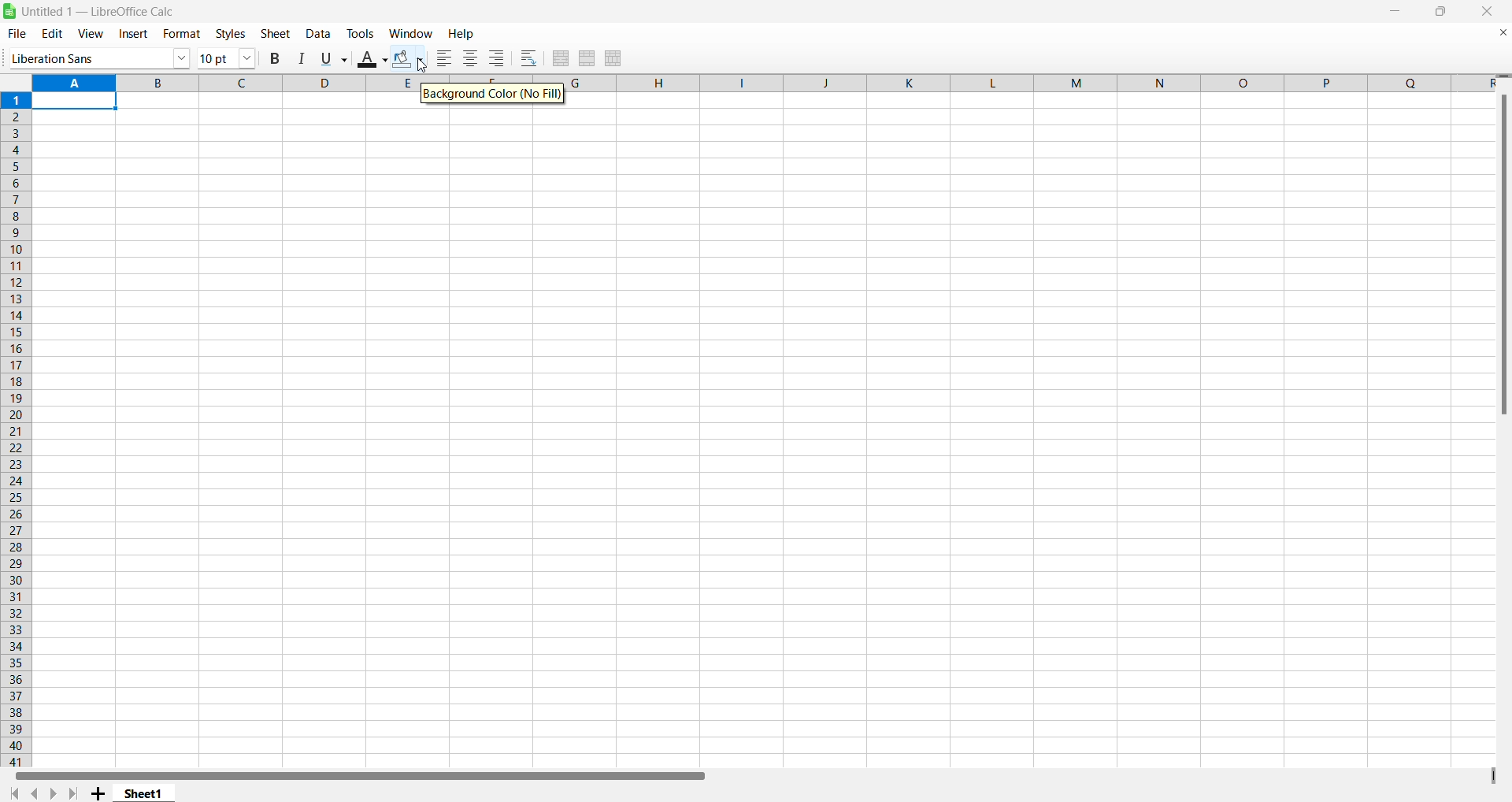 This screenshot has width=1512, height=802. What do you see at coordinates (560, 56) in the screenshot?
I see `merge and center` at bounding box center [560, 56].